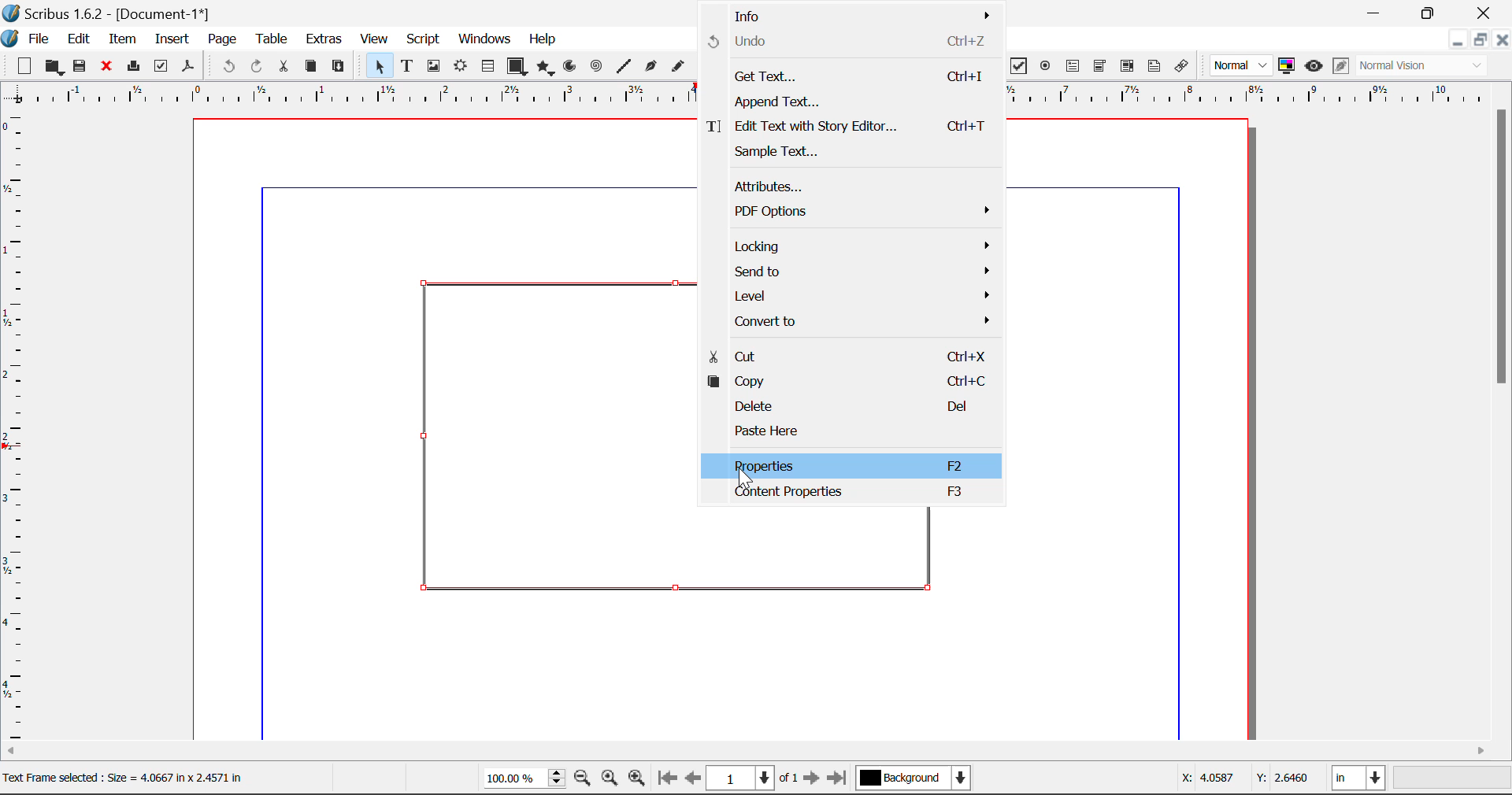 This screenshot has height=795, width=1512. I want to click on Table, so click(271, 38).